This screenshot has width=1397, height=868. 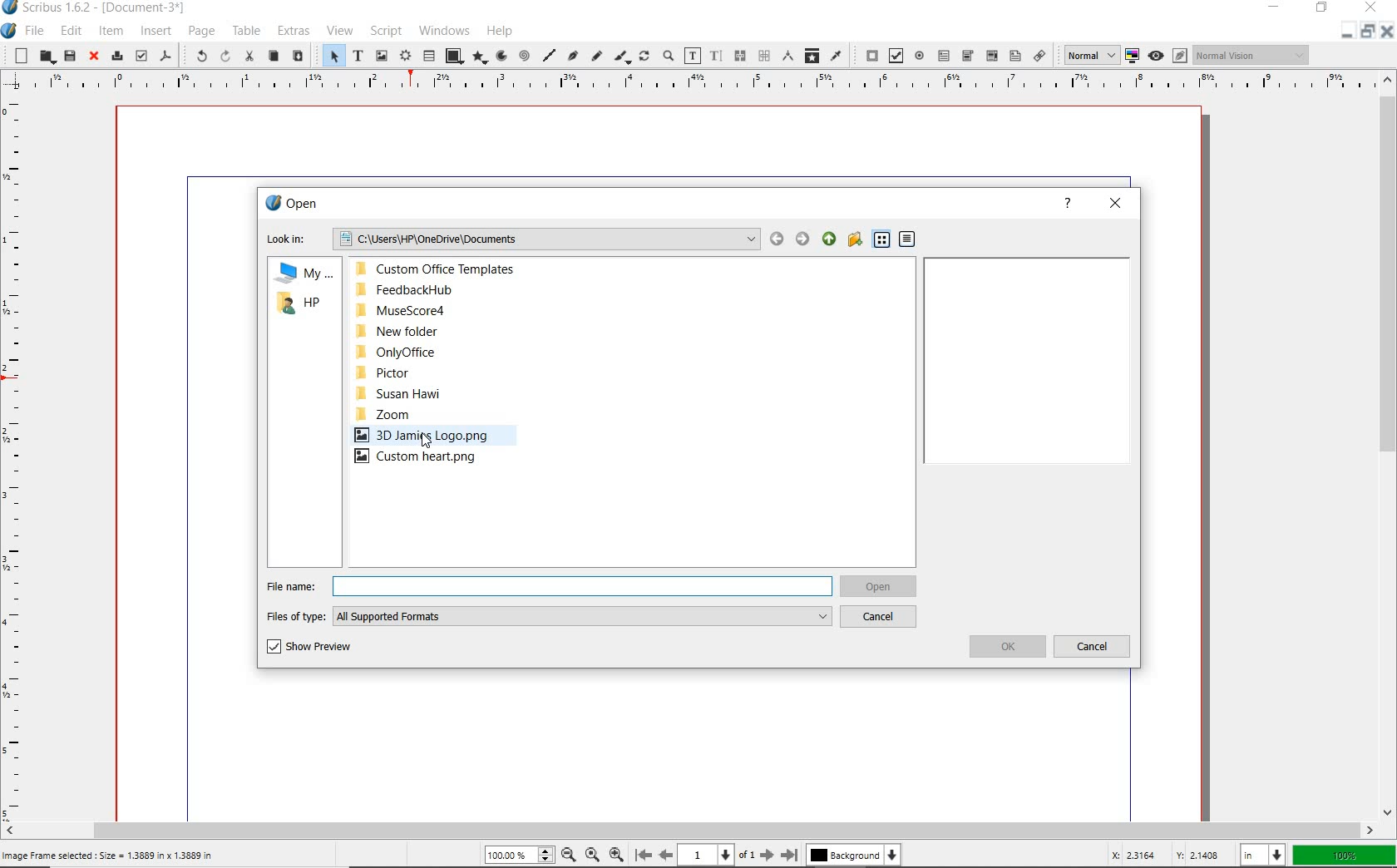 I want to click on freehand line, so click(x=594, y=55).